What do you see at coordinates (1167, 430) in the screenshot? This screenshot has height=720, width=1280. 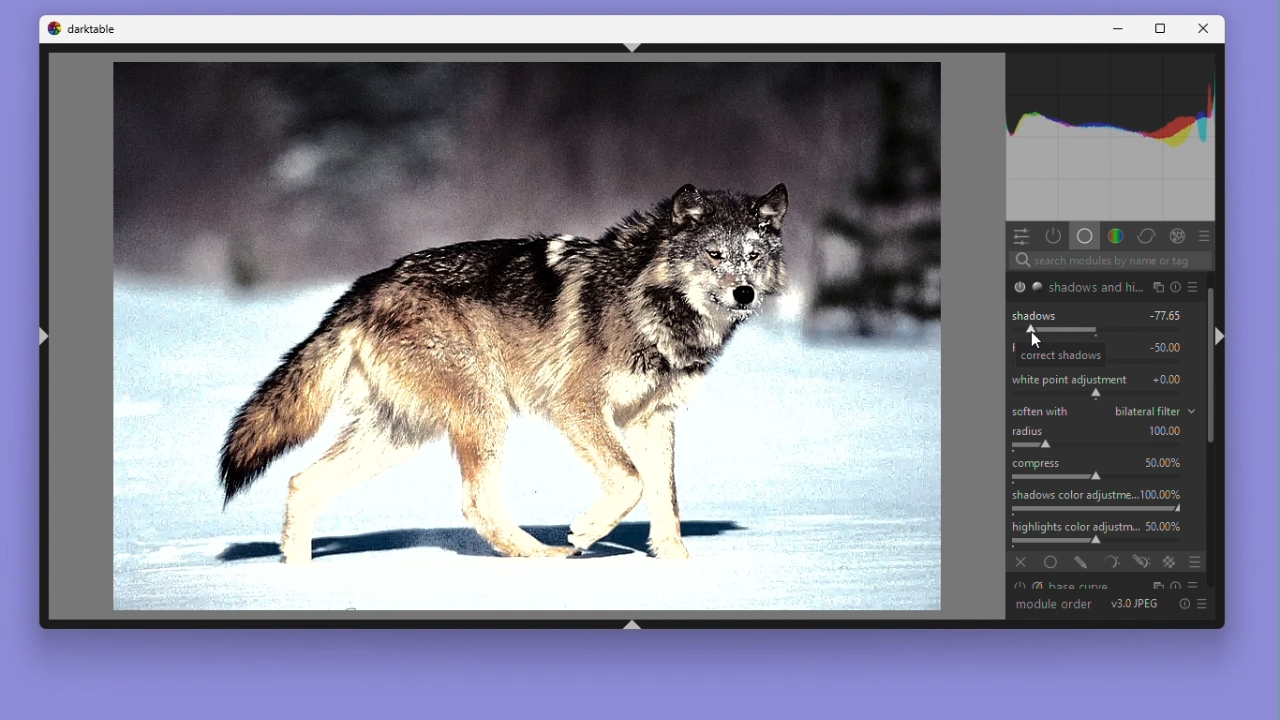 I see `100.00` at bounding box center [1167, 430].